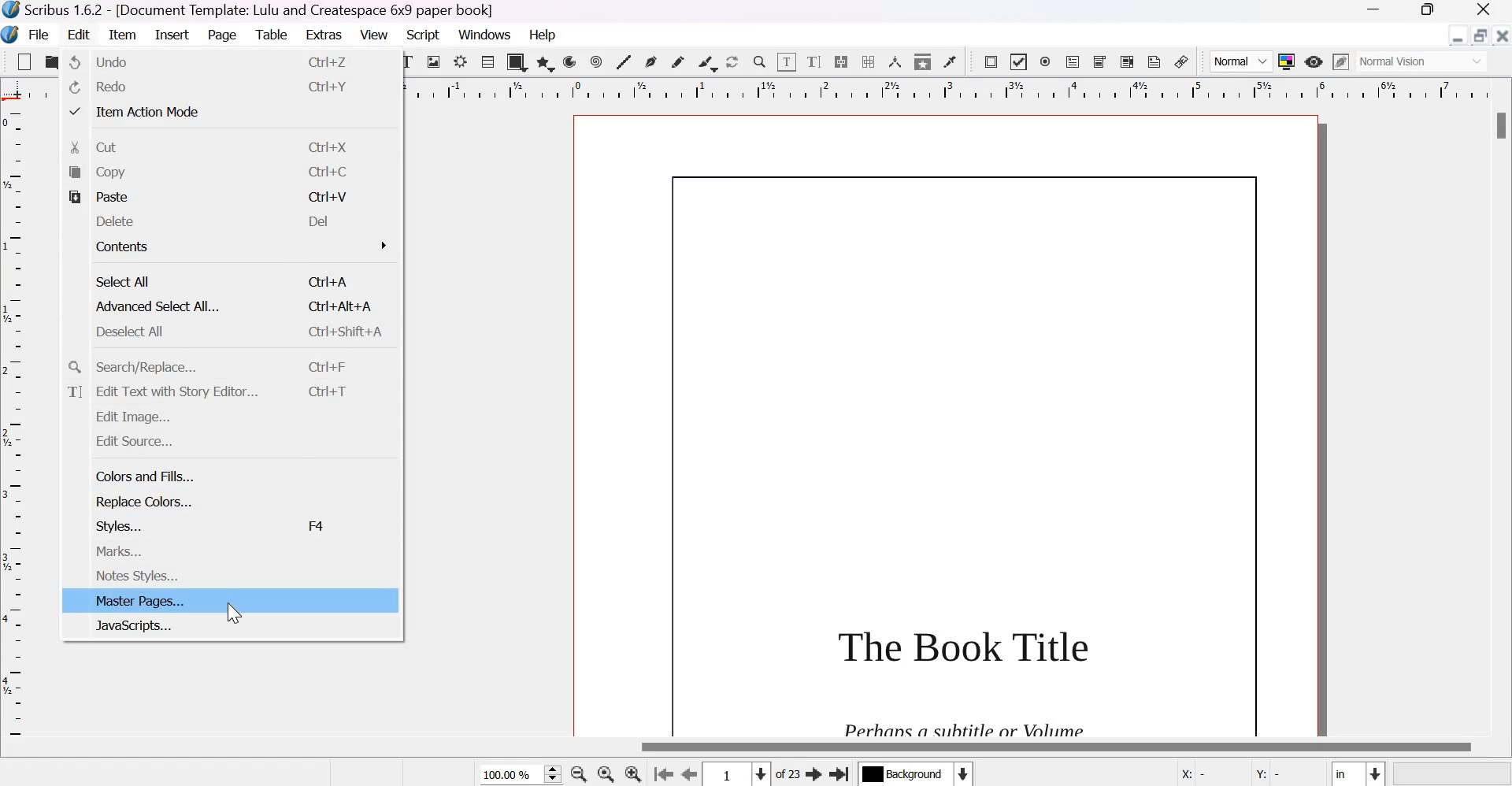 This screenshot has height=786, width=1512. I want to click on Rotate item, so click(732, 63).